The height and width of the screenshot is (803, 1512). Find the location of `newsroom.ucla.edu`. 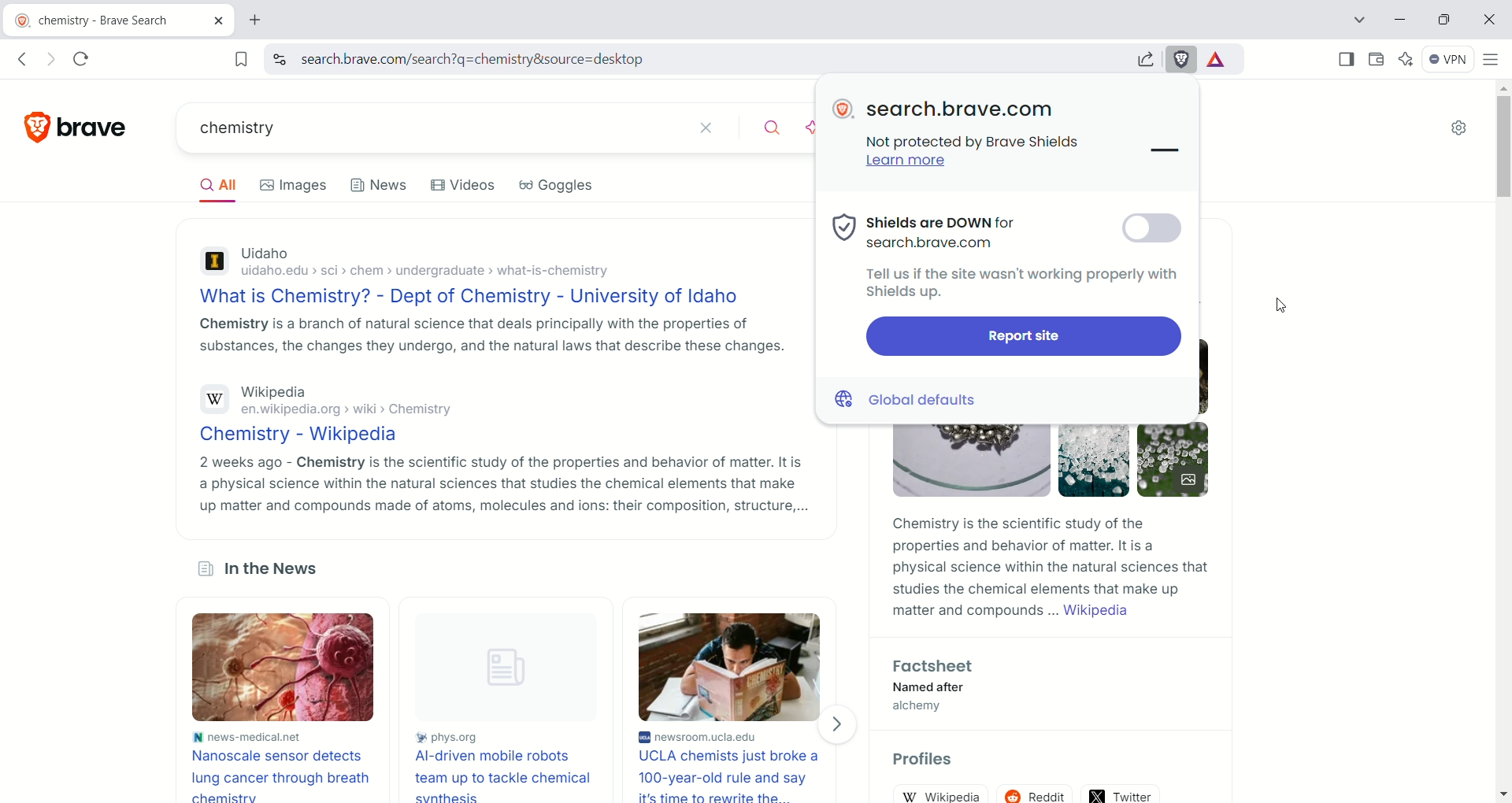

newsroom.ucla.edu is located at coordinates (733, 738).